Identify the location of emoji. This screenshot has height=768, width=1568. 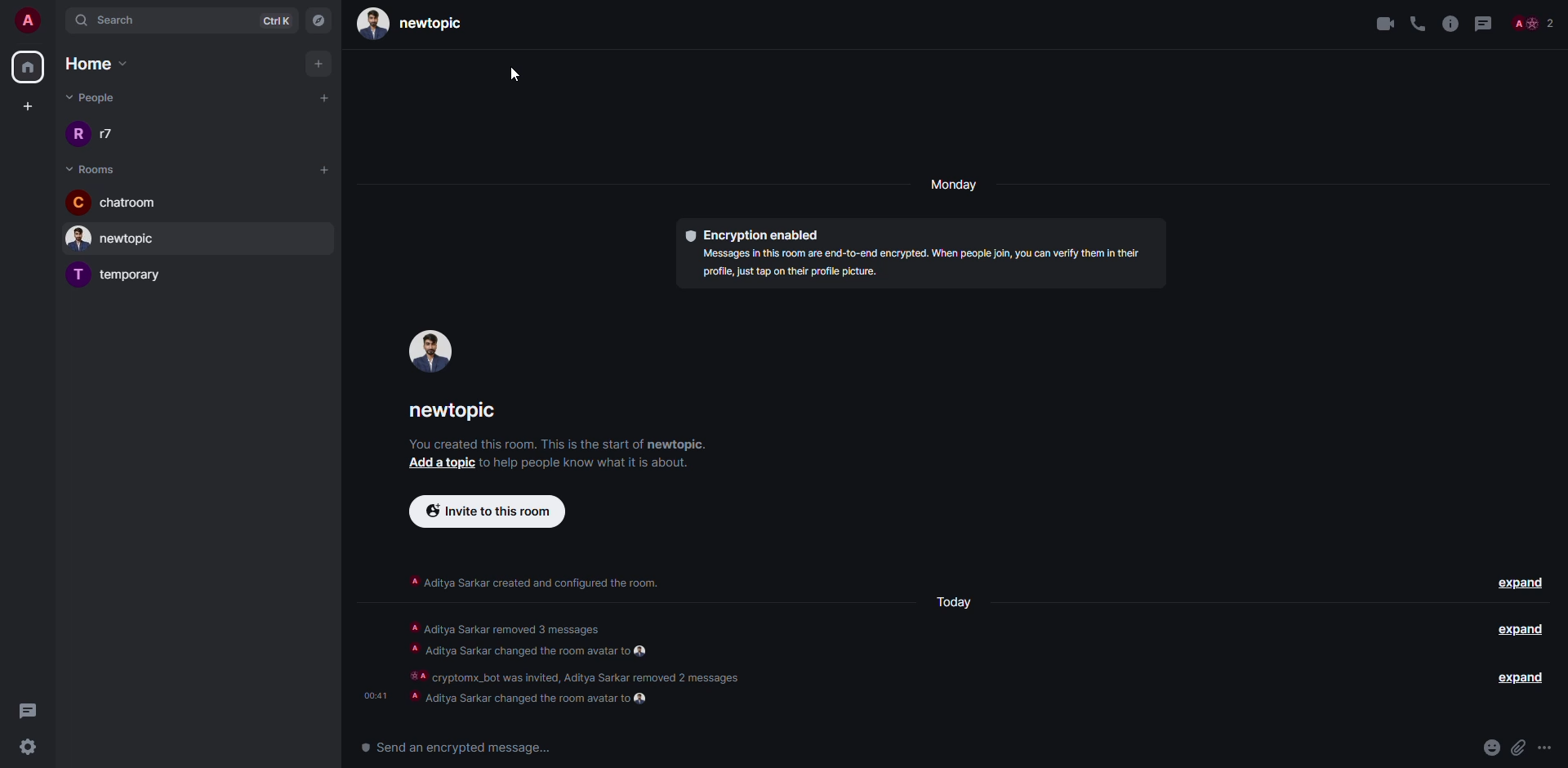
(1492, 748).